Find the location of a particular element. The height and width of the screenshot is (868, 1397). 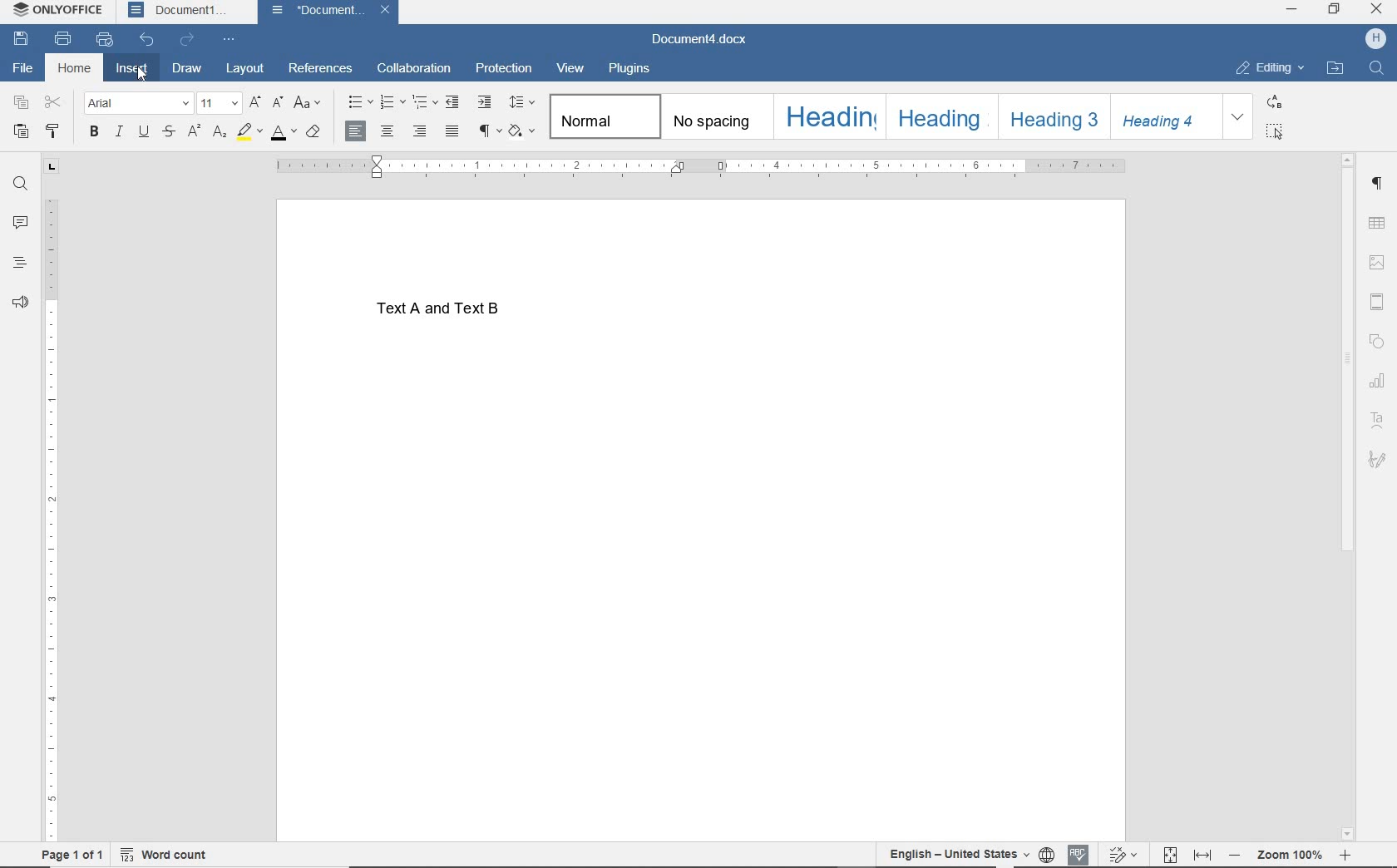

PLUGINS is located at coordinates (629, 70).